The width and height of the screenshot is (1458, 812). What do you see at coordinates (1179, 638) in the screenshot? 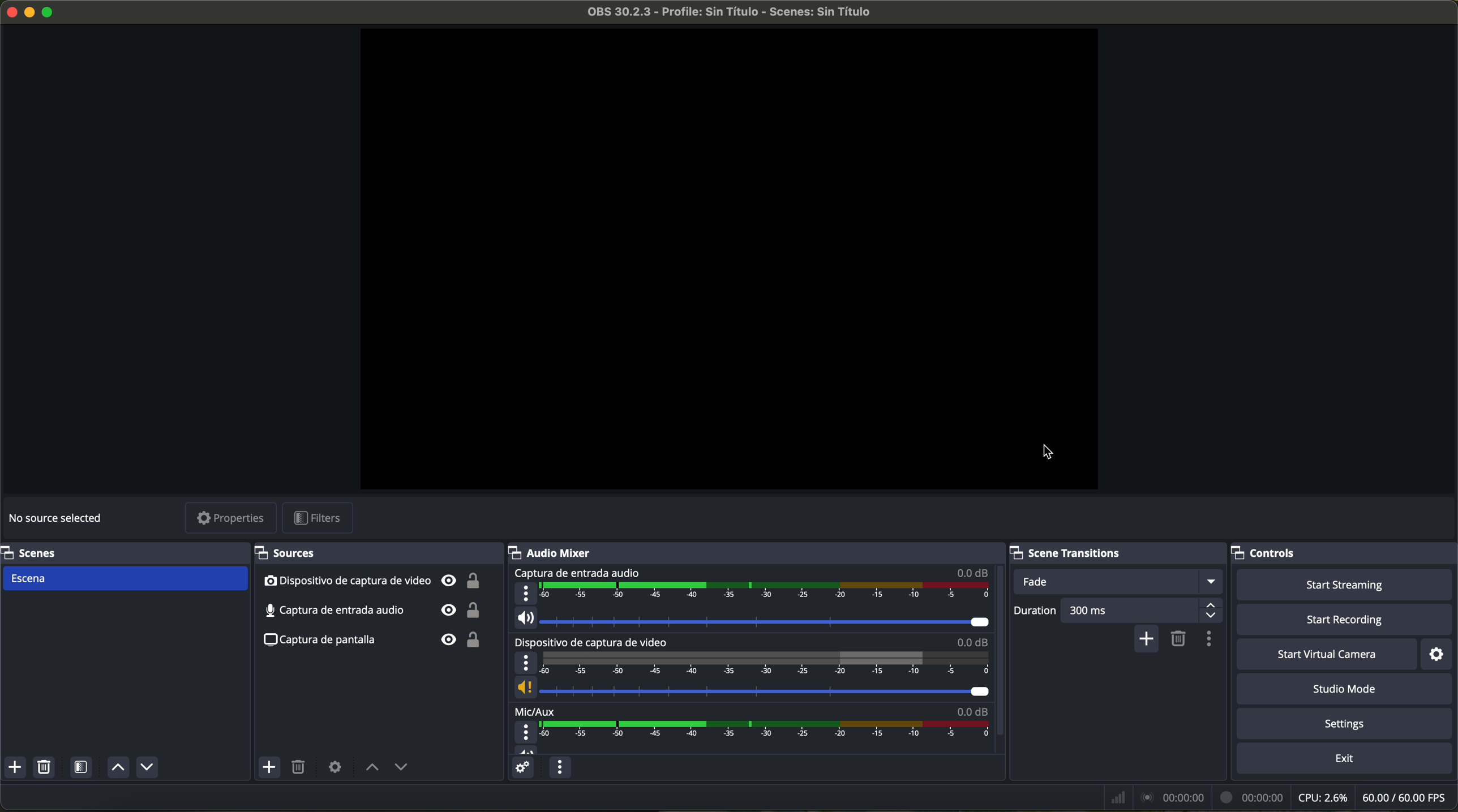
I see `remove configurable transition` at bounding box center [1179, 638].